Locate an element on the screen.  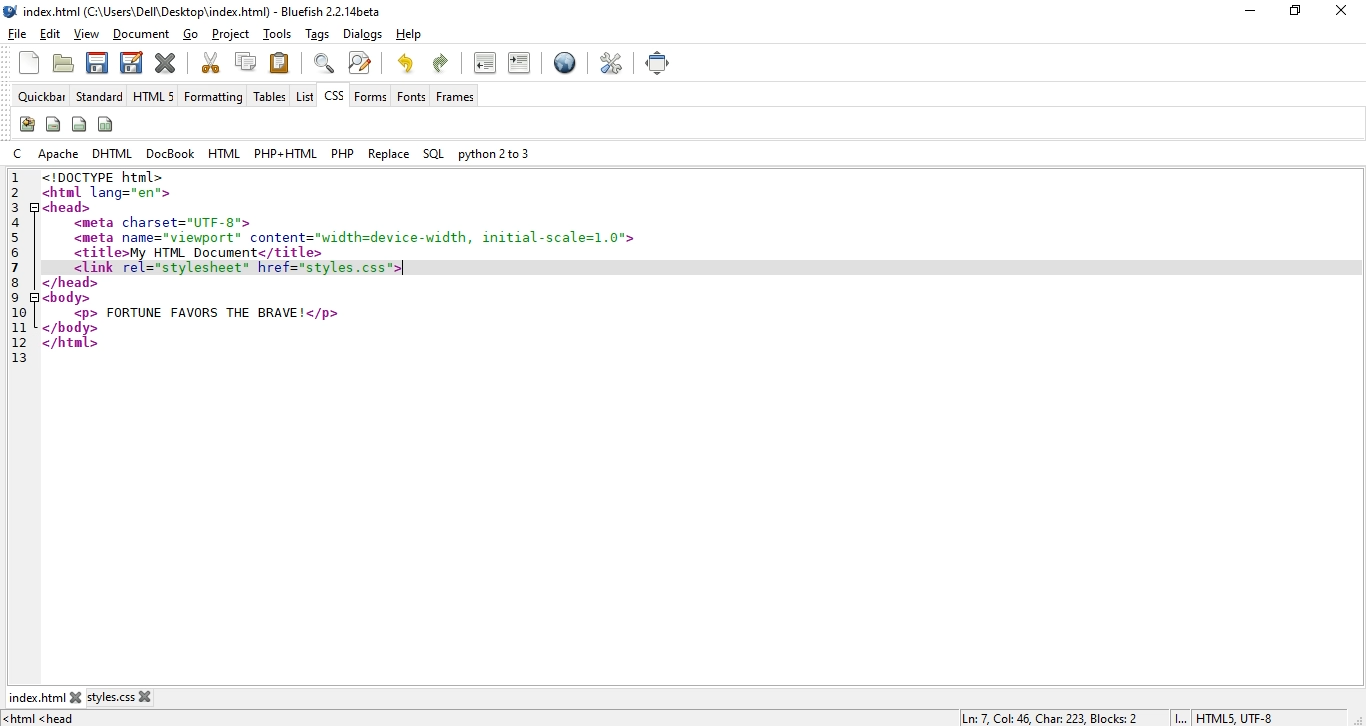
tools is located at coordinates (280, 35).